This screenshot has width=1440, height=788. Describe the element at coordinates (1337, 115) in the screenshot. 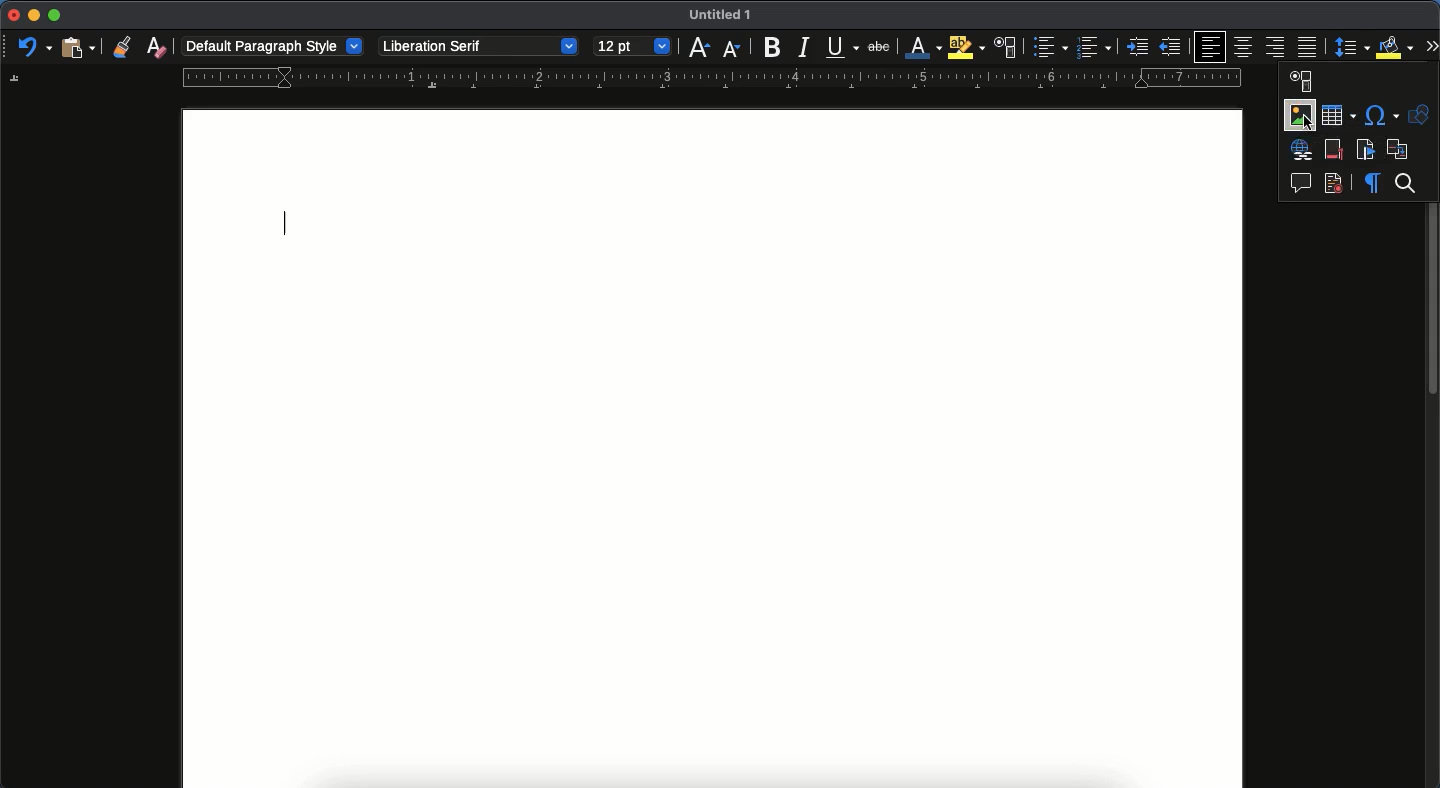

I see `table` at that location.